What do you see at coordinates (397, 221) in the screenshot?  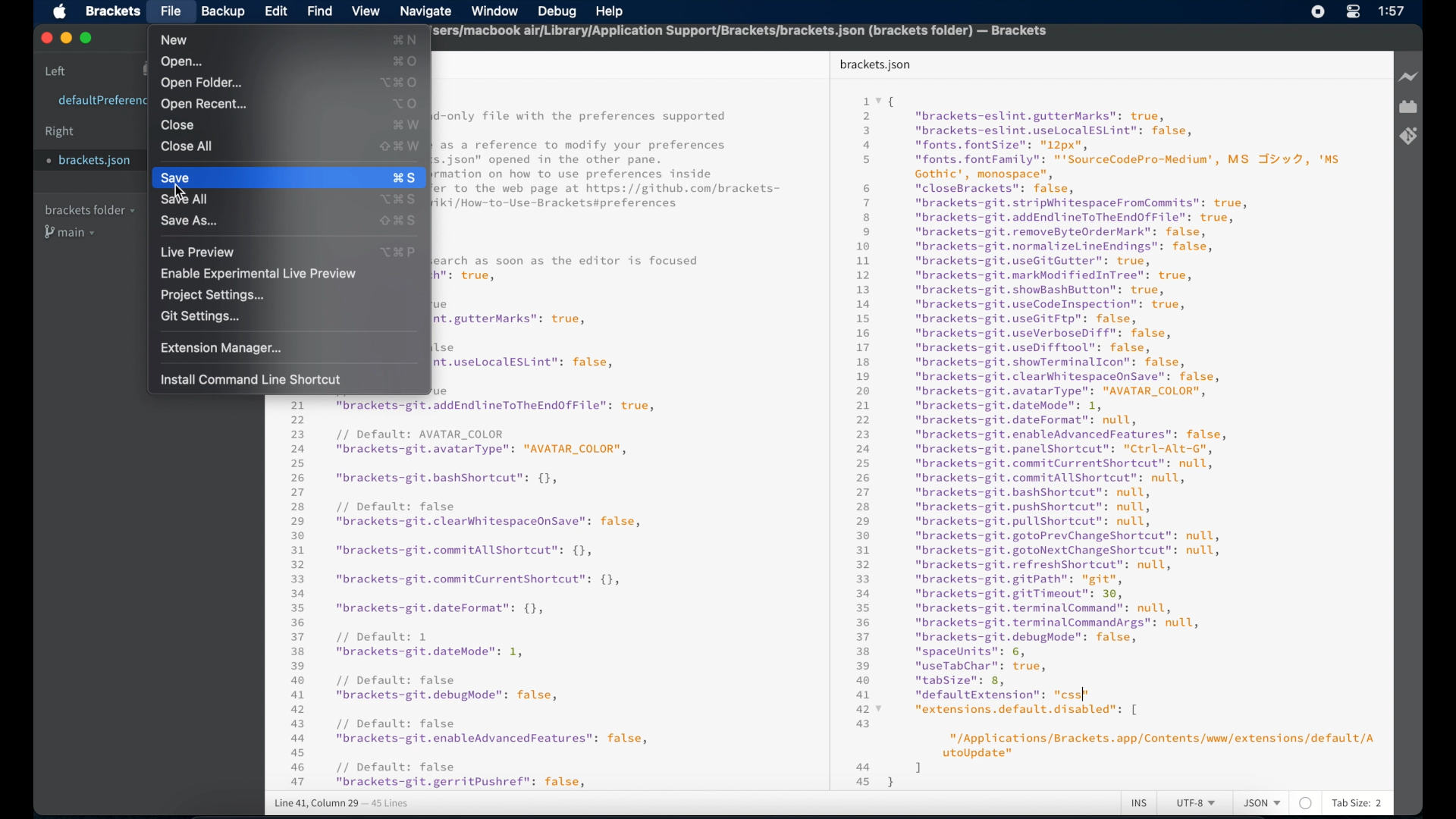 I see `save as shortcut` at bounding box center [397, 221].